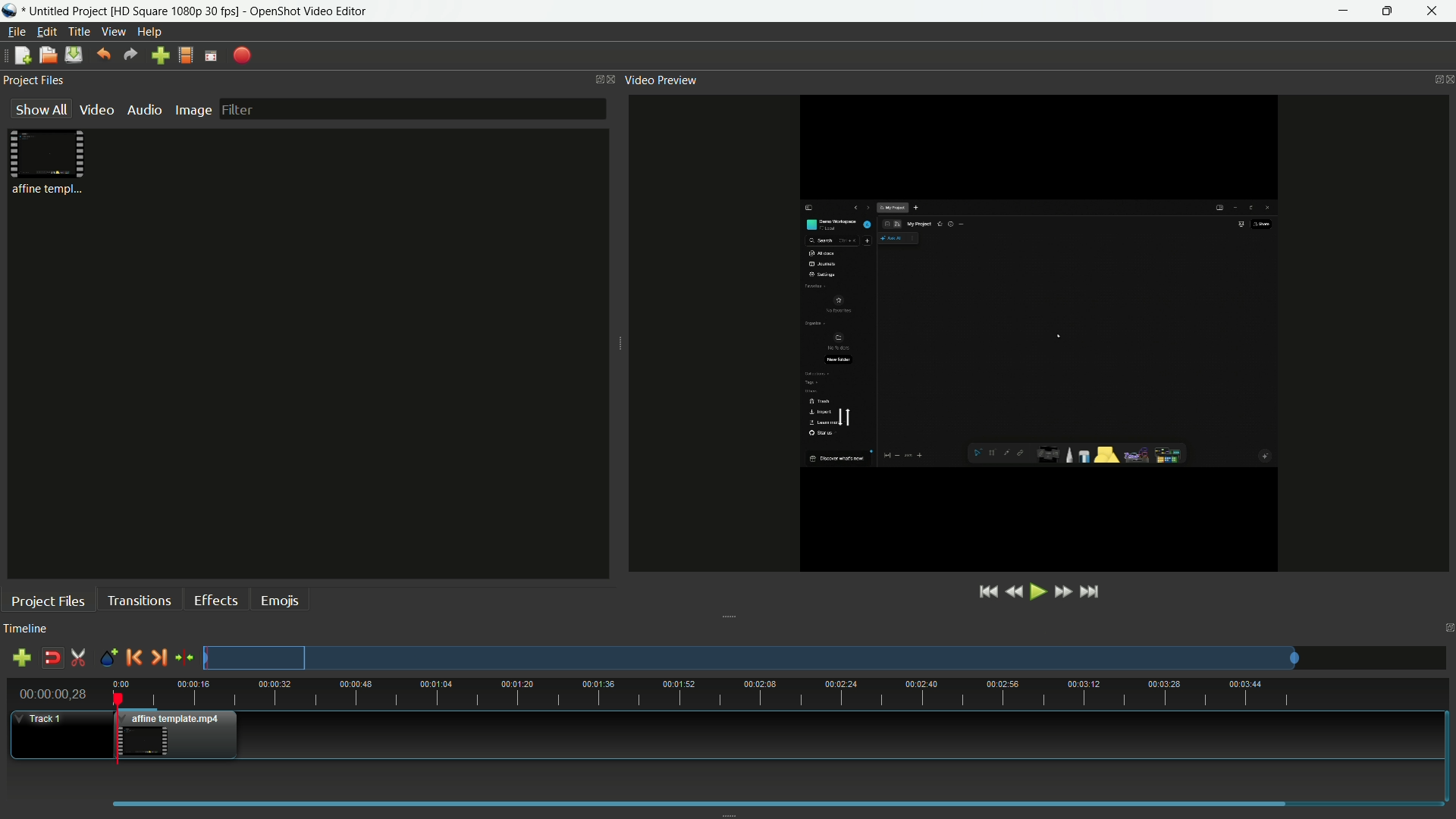 This screenshot has height=819, width=1456. Describe the element at coordinates (105, 658) in the screenshot. I see `create marker` at that location.